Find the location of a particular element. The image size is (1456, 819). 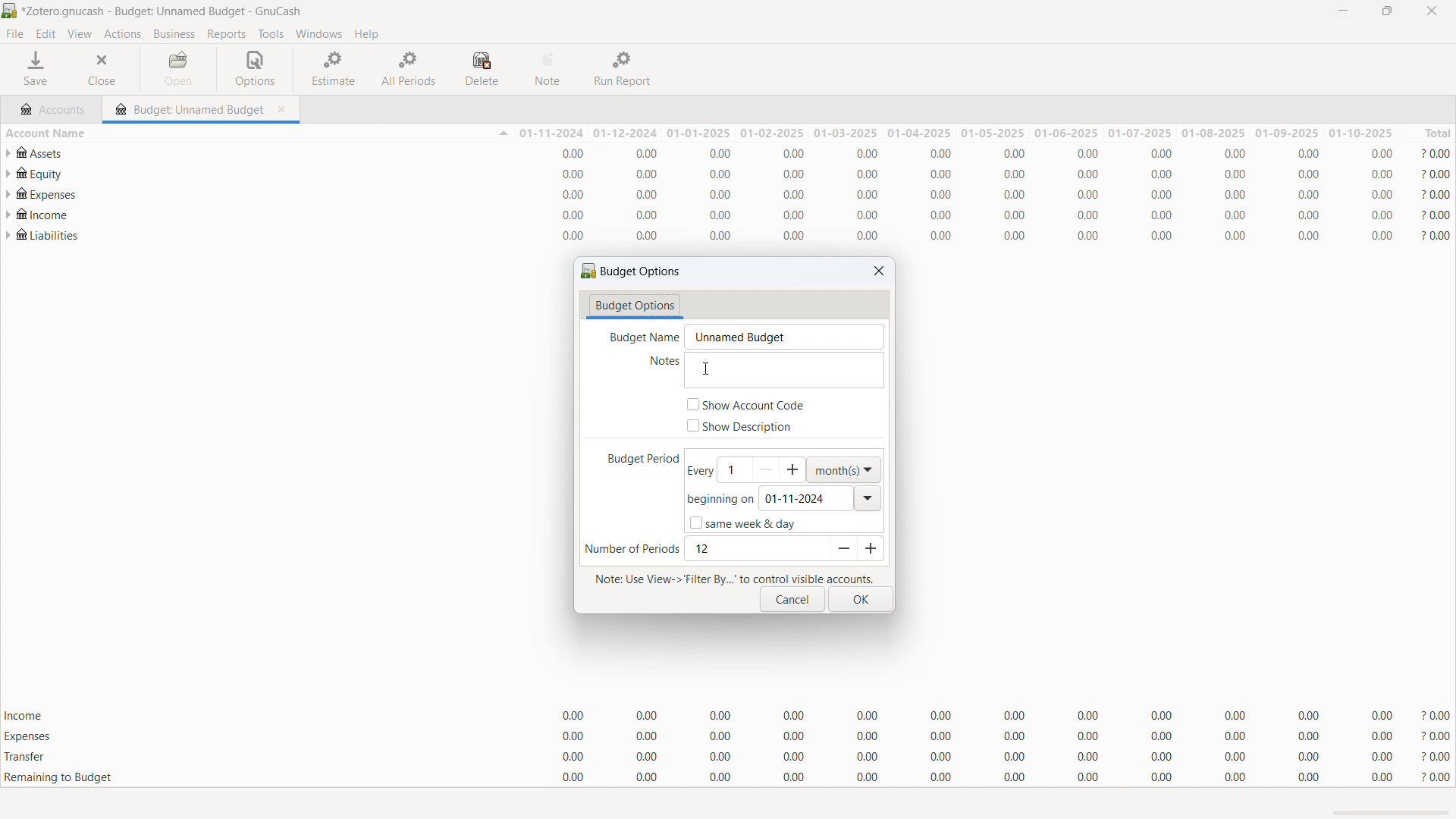

account statement for "Liabilities" is located at coordinates (736, 236).